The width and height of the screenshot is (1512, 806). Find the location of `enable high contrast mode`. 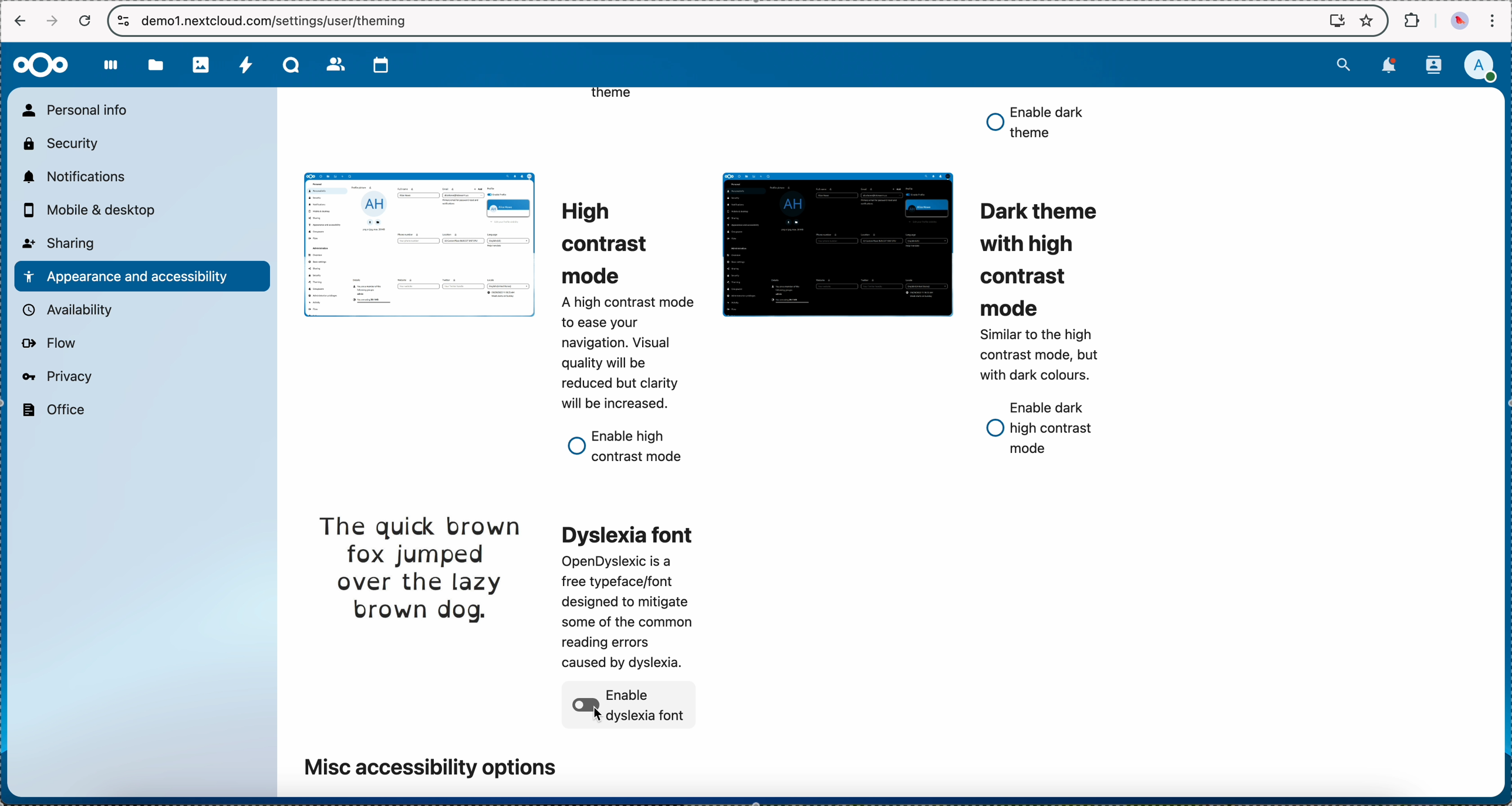

enable high contrast mode is located at coordinates (629, 446).